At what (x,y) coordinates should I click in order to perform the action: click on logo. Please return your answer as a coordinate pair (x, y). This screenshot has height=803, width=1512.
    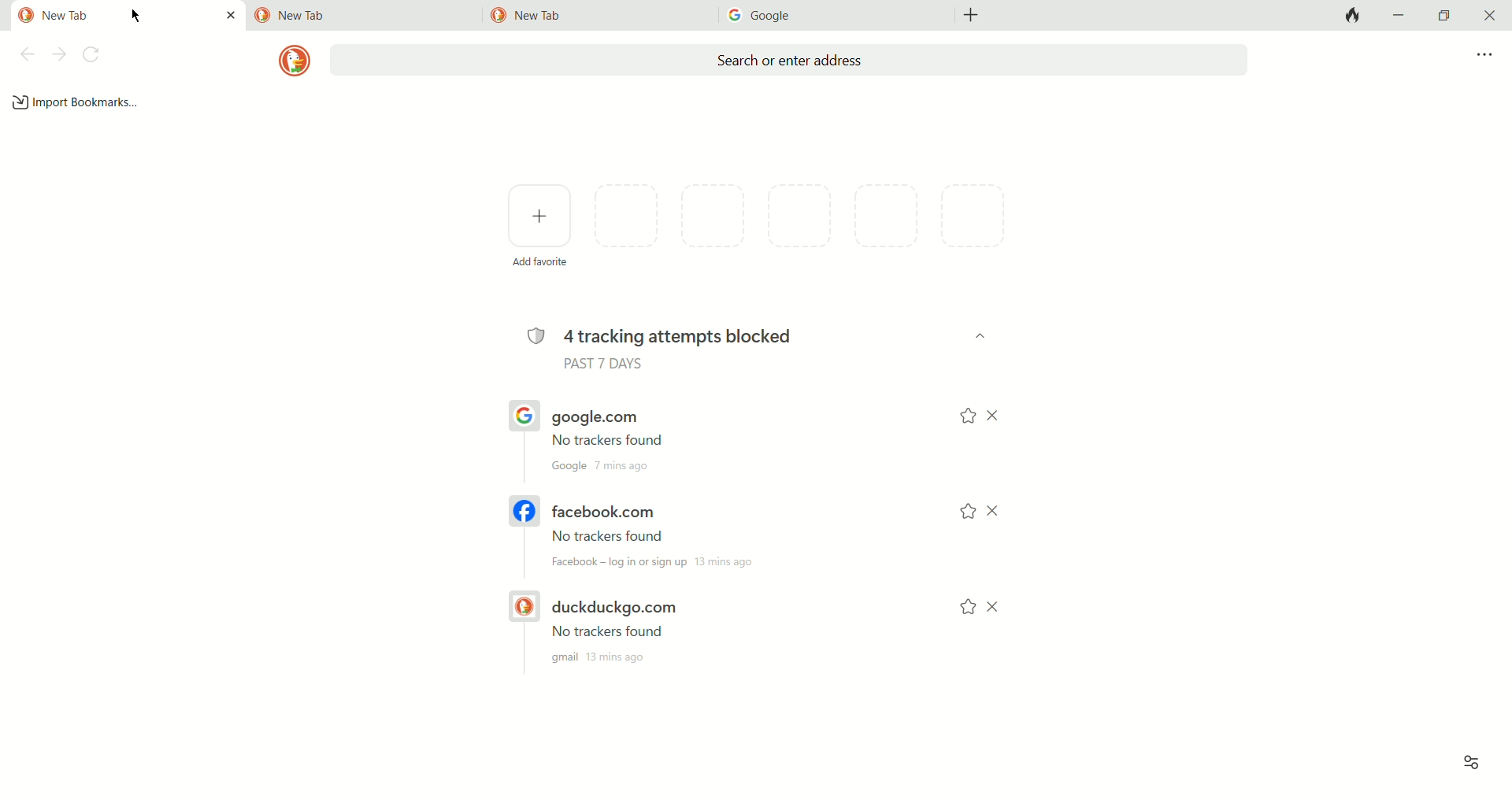
    Looking at the image, I should click on (295, 59).